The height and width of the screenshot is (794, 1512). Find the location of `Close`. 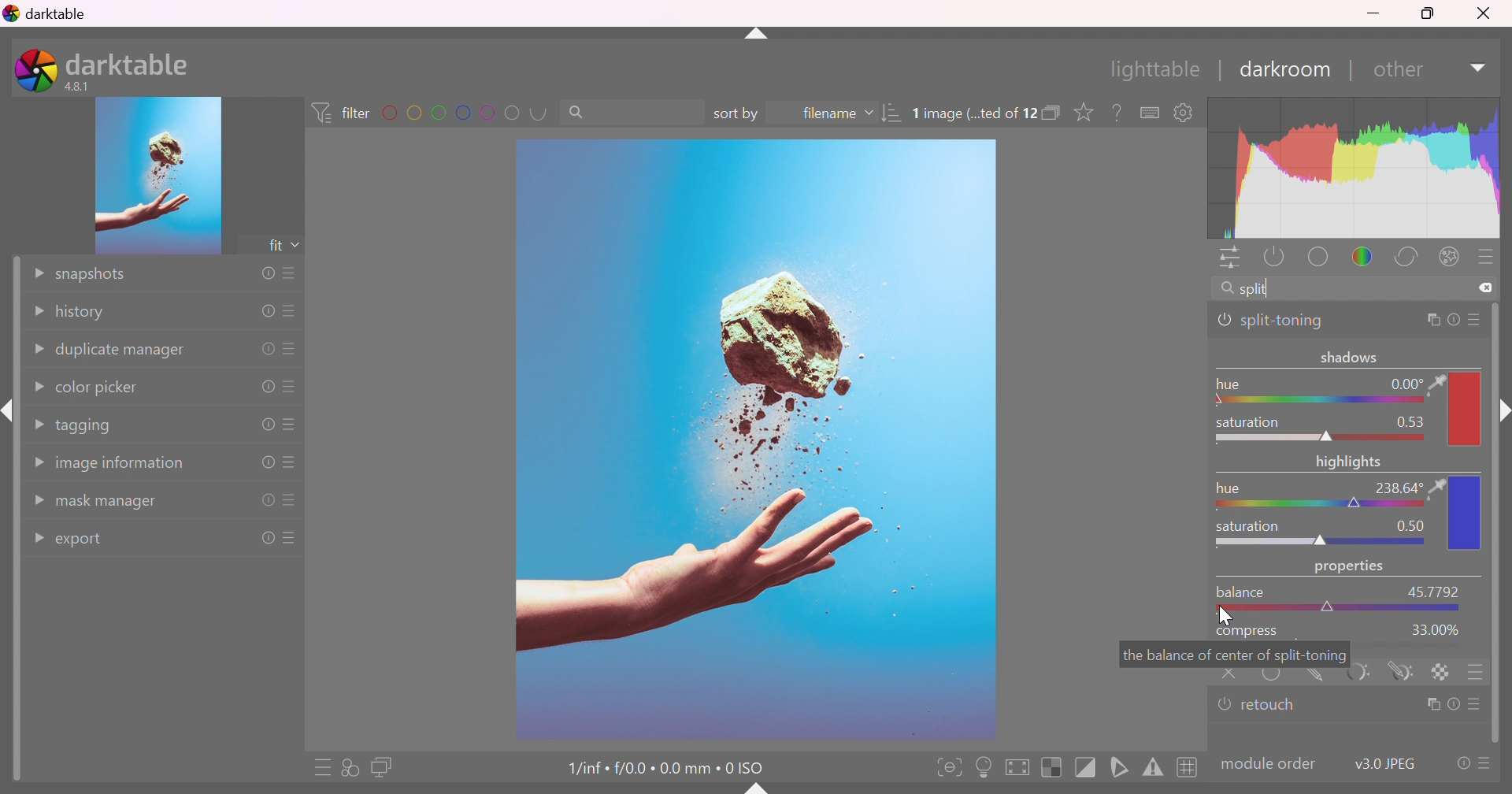

Close is located at coordinates (1487, 14).